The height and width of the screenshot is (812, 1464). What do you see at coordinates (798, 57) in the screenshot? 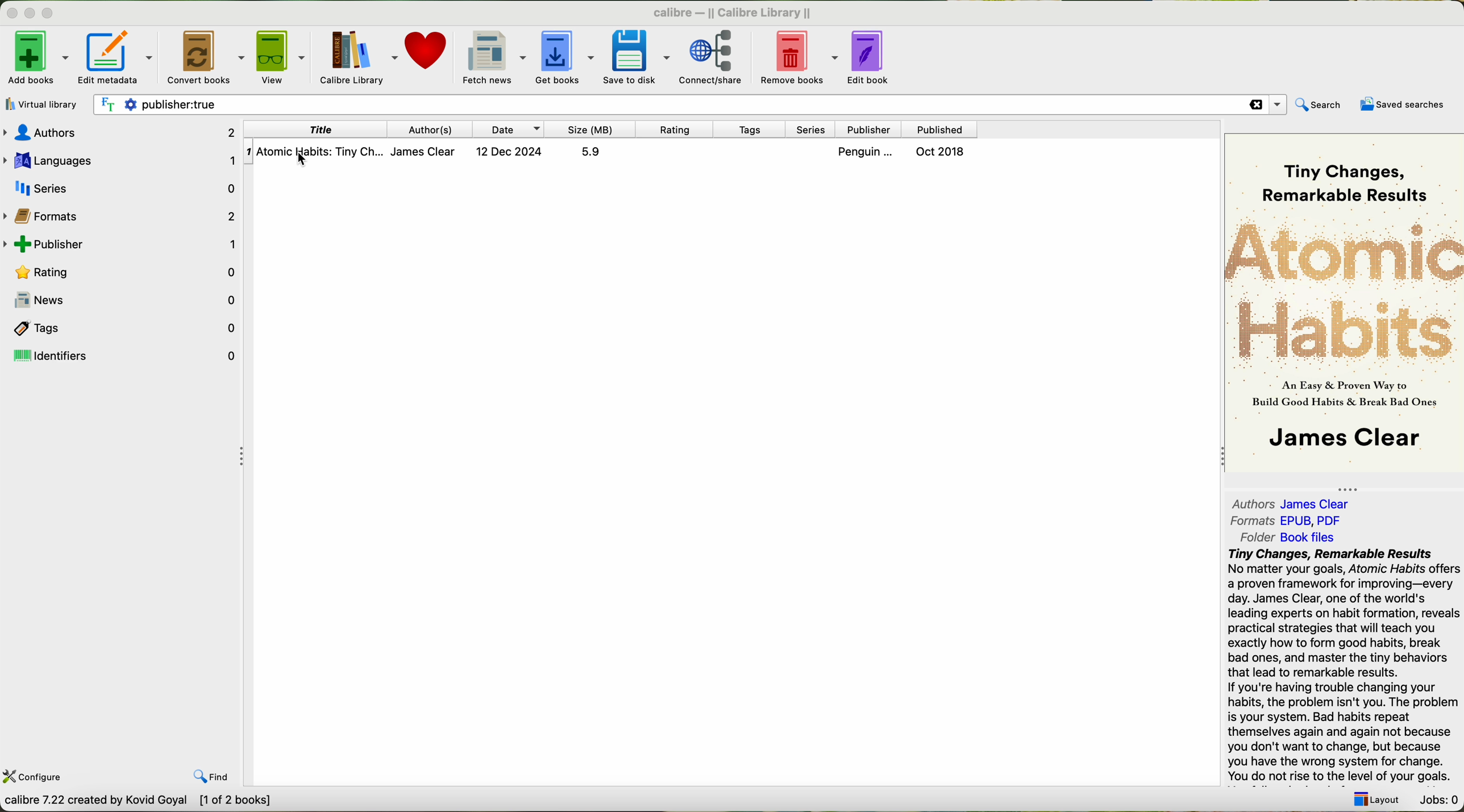
I see `remove books` at bounding box center [798, 57].